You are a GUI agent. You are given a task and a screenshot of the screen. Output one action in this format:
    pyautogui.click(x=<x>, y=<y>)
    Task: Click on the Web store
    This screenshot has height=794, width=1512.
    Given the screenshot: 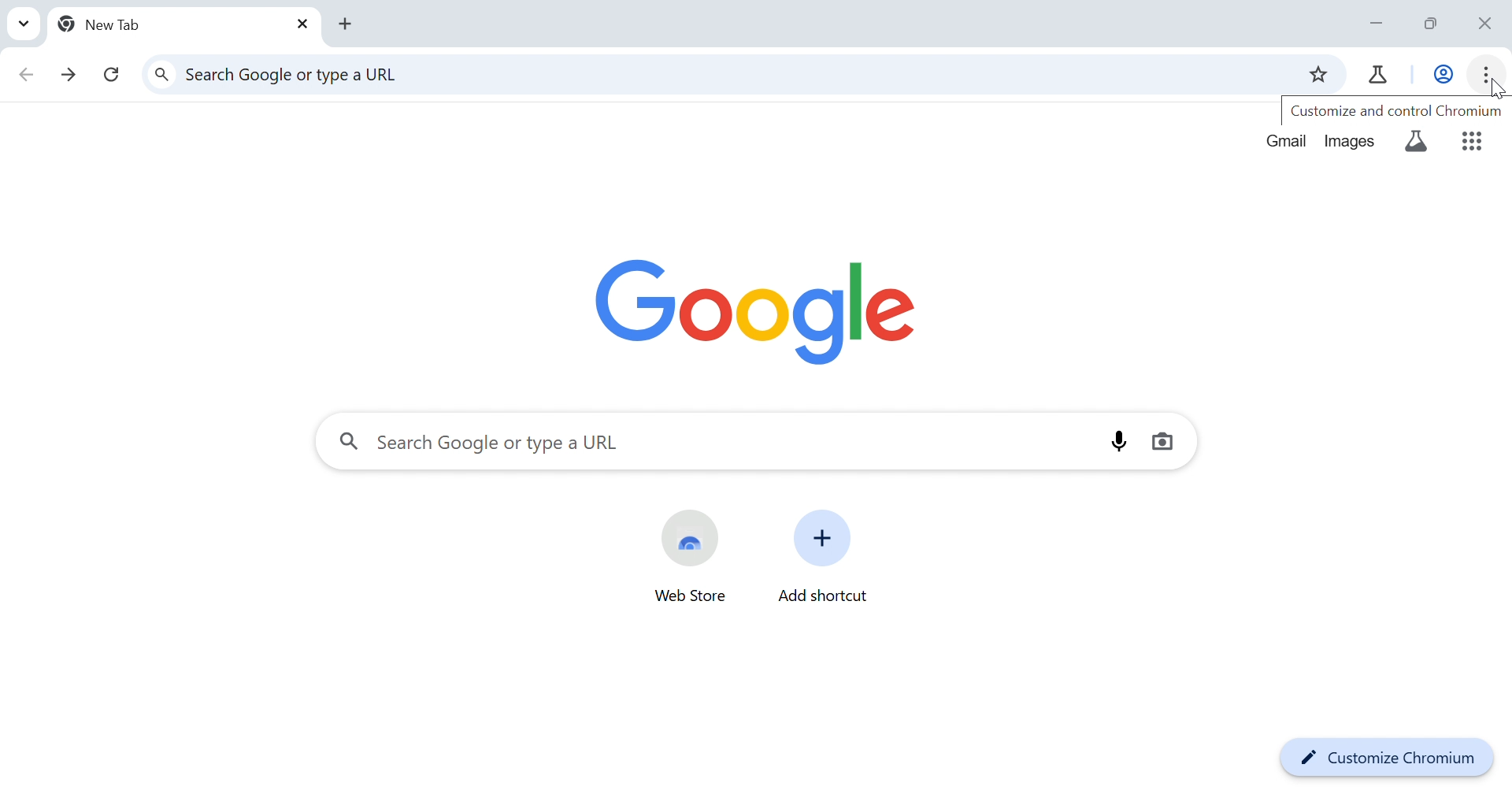 What is the action you would take?
    pyautogui.click(x=691, y=598)
    